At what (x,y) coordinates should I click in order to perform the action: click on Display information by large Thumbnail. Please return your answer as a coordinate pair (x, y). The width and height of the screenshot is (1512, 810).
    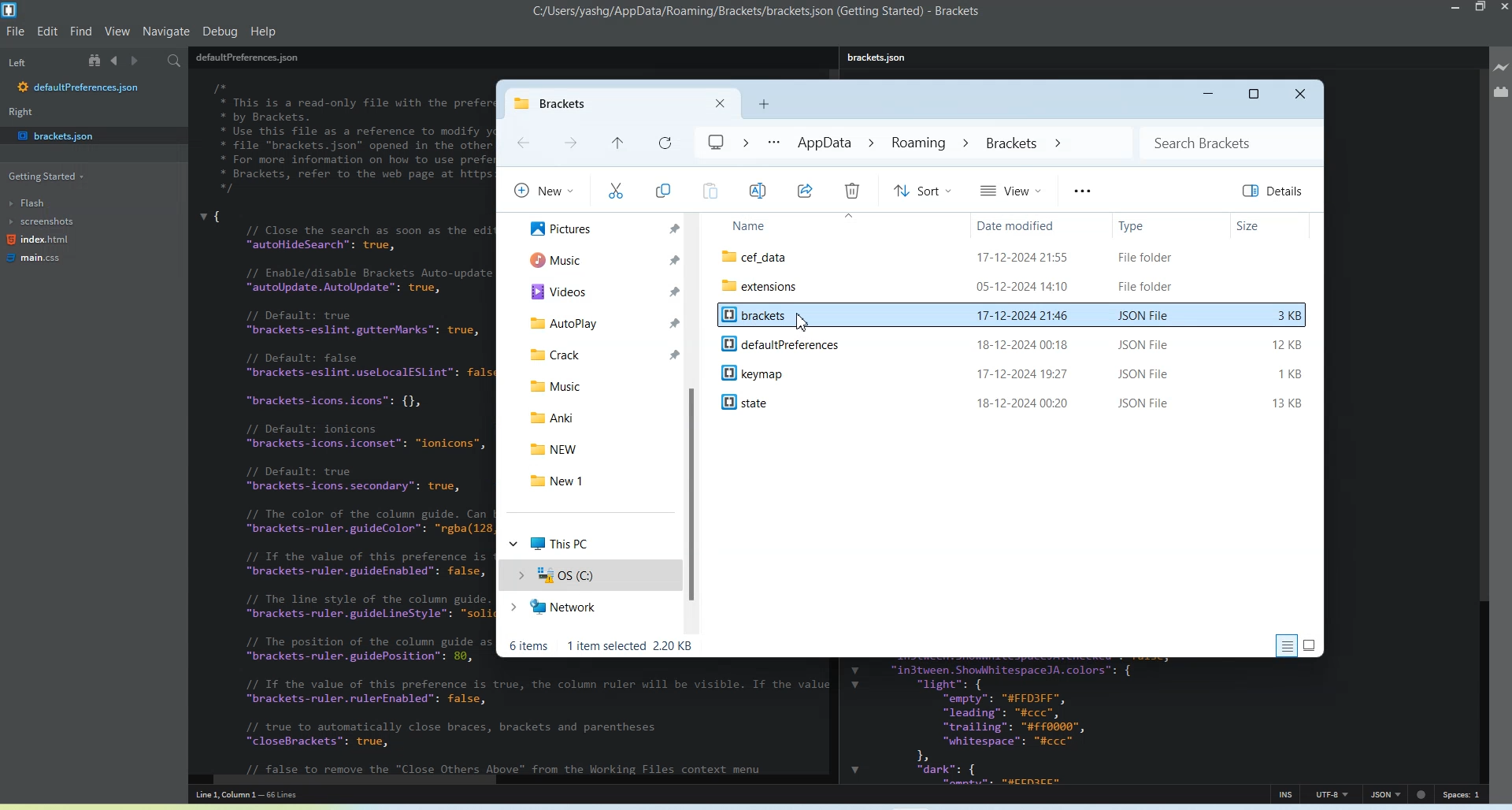
    Looking at the image, I should click on (1312, 645).